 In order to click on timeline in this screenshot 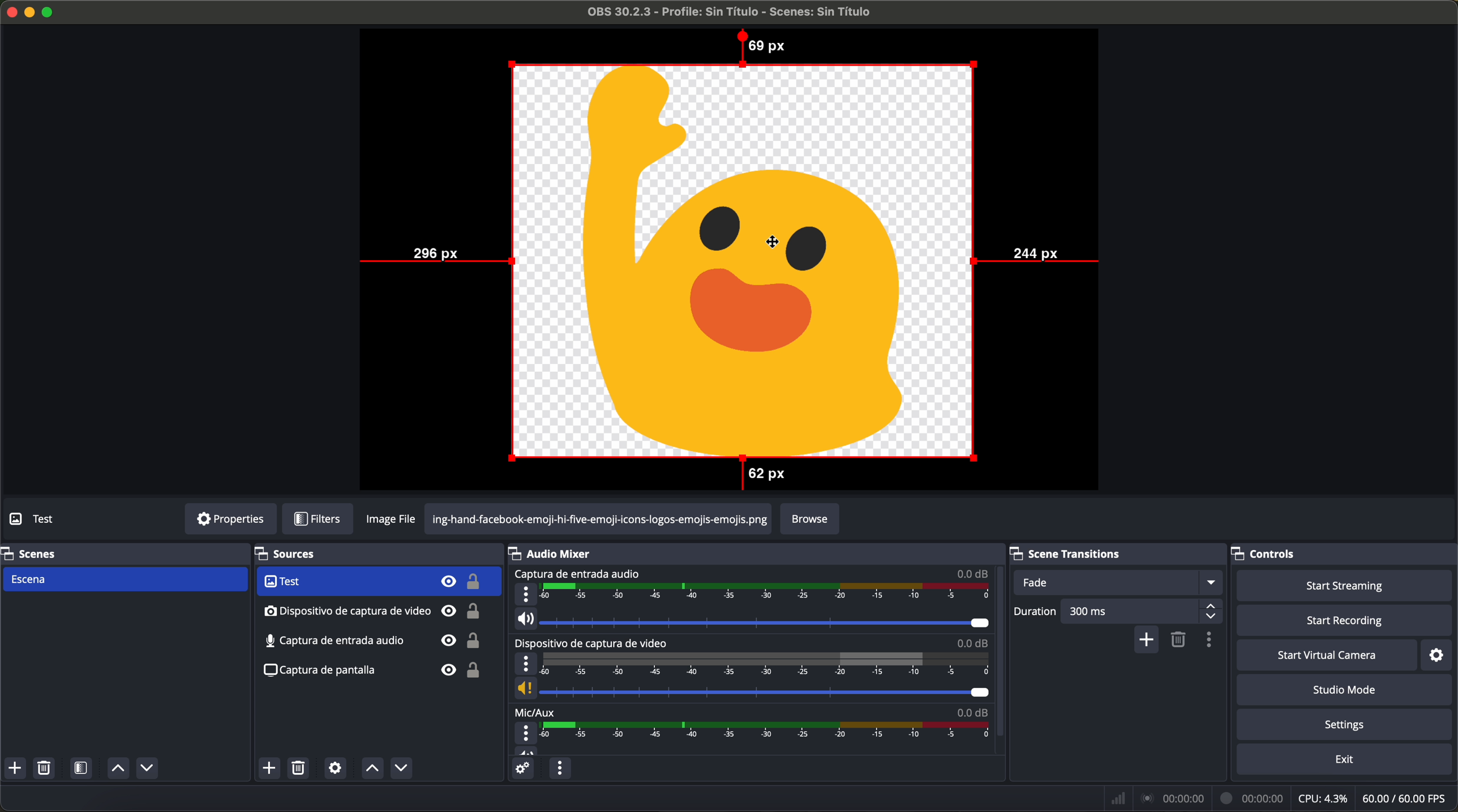, I will do `click(766, 664)`.